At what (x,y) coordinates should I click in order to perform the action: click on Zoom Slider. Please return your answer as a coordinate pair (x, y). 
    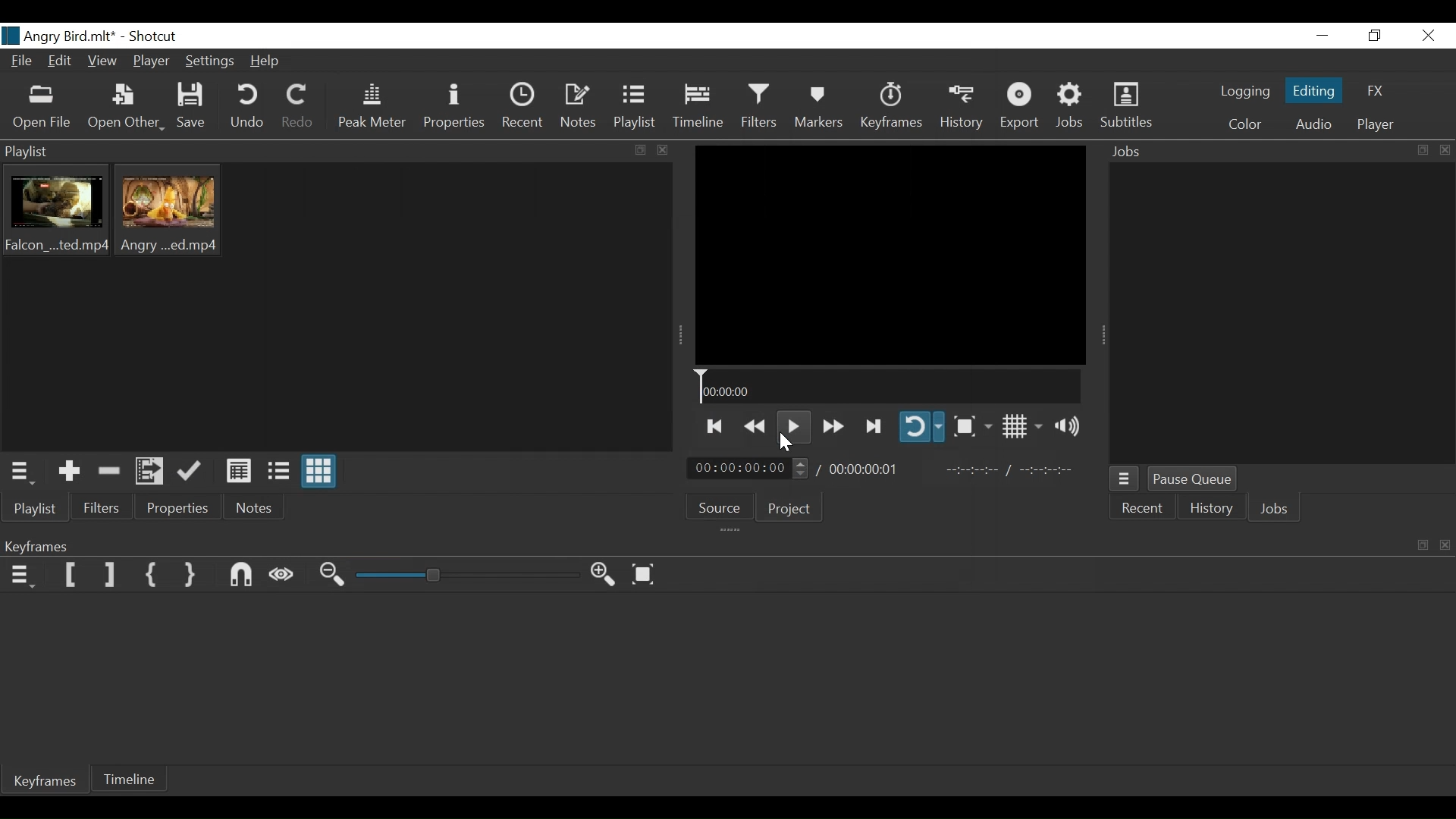
    Looking at the image, I should click on (471, 576).